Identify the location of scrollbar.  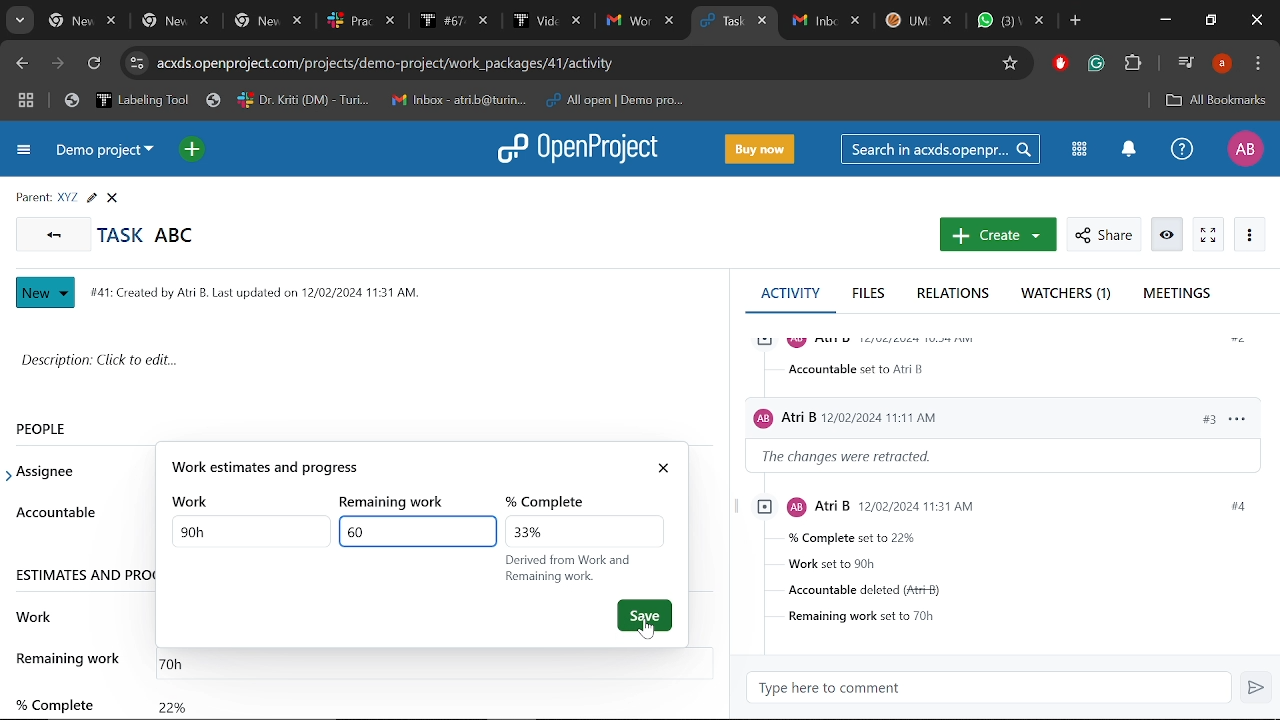
(725, 436).